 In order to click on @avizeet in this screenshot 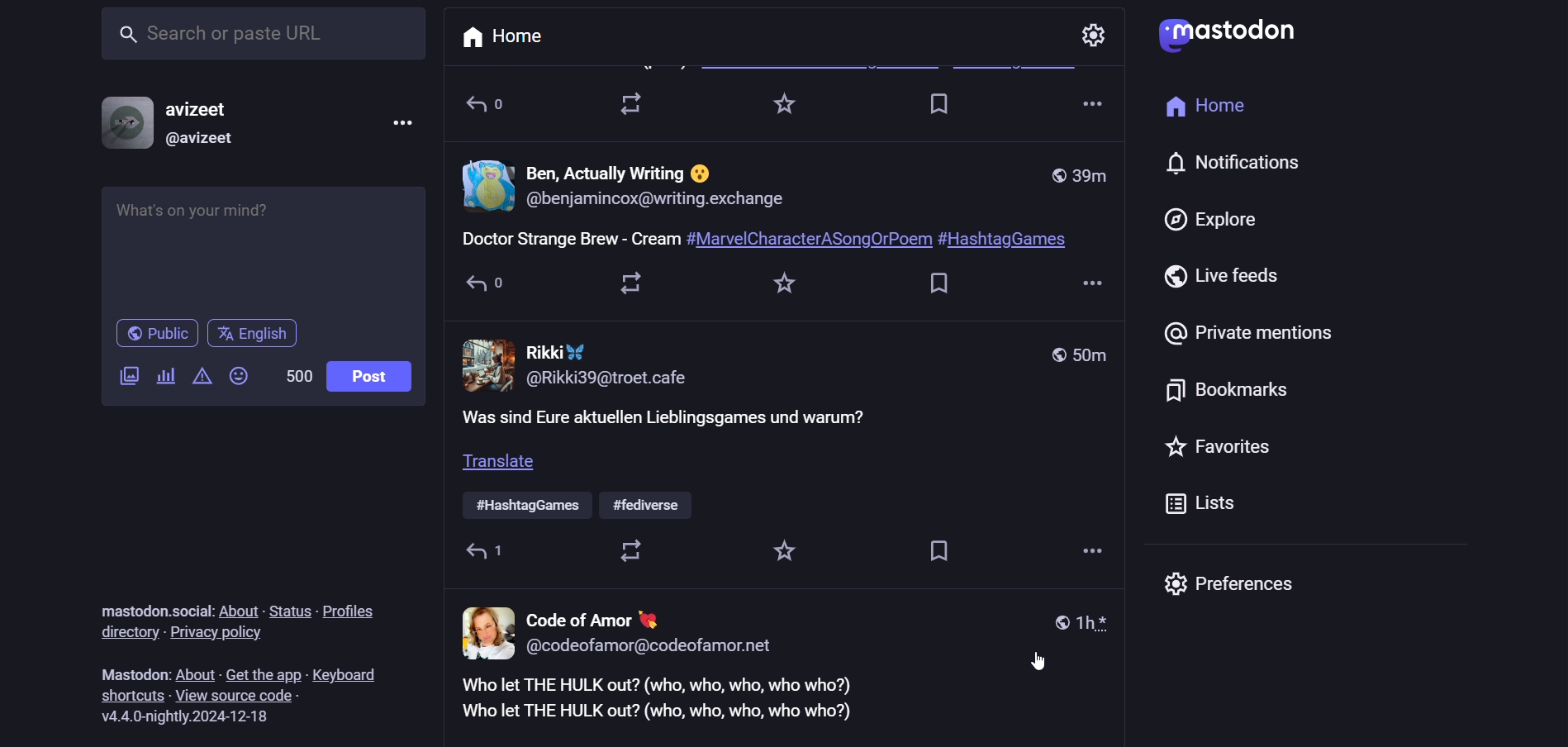, I will do `click(199, 144)`.